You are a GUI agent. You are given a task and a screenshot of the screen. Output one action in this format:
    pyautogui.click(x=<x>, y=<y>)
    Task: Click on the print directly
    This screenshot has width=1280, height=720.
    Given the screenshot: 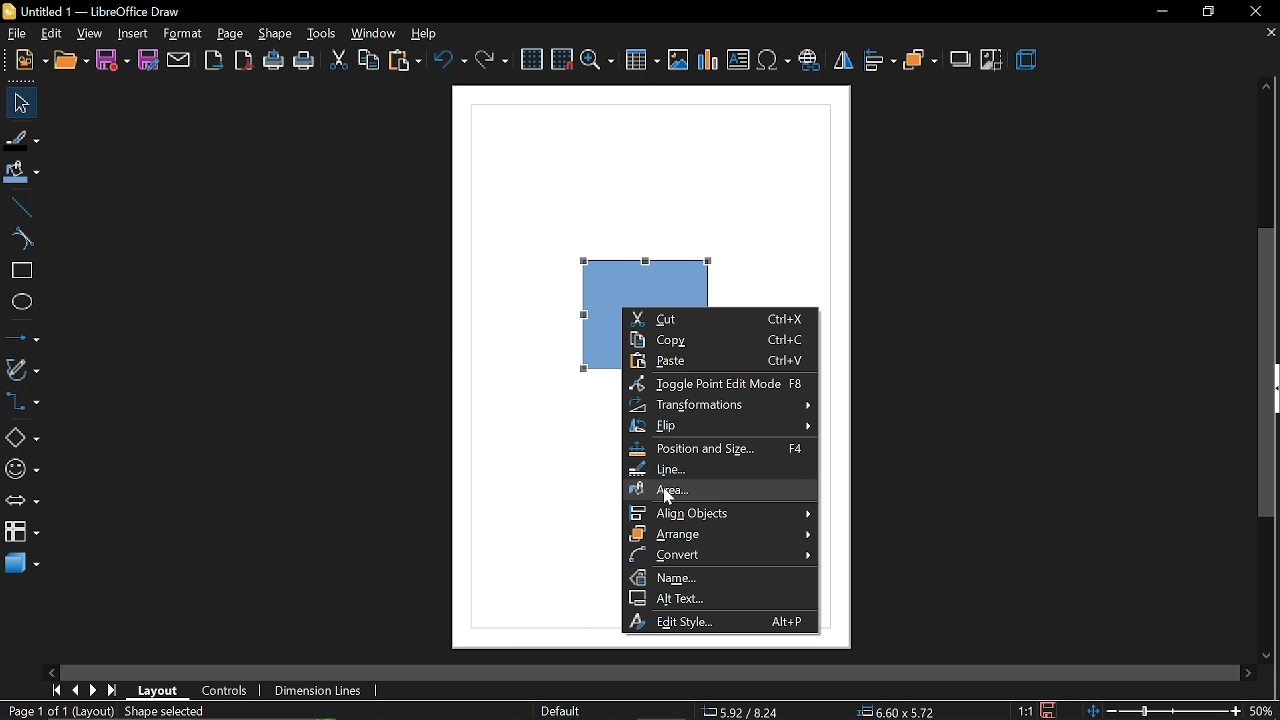 What is the action you would take?
    pyautogui.click(x=273, y=61)
    